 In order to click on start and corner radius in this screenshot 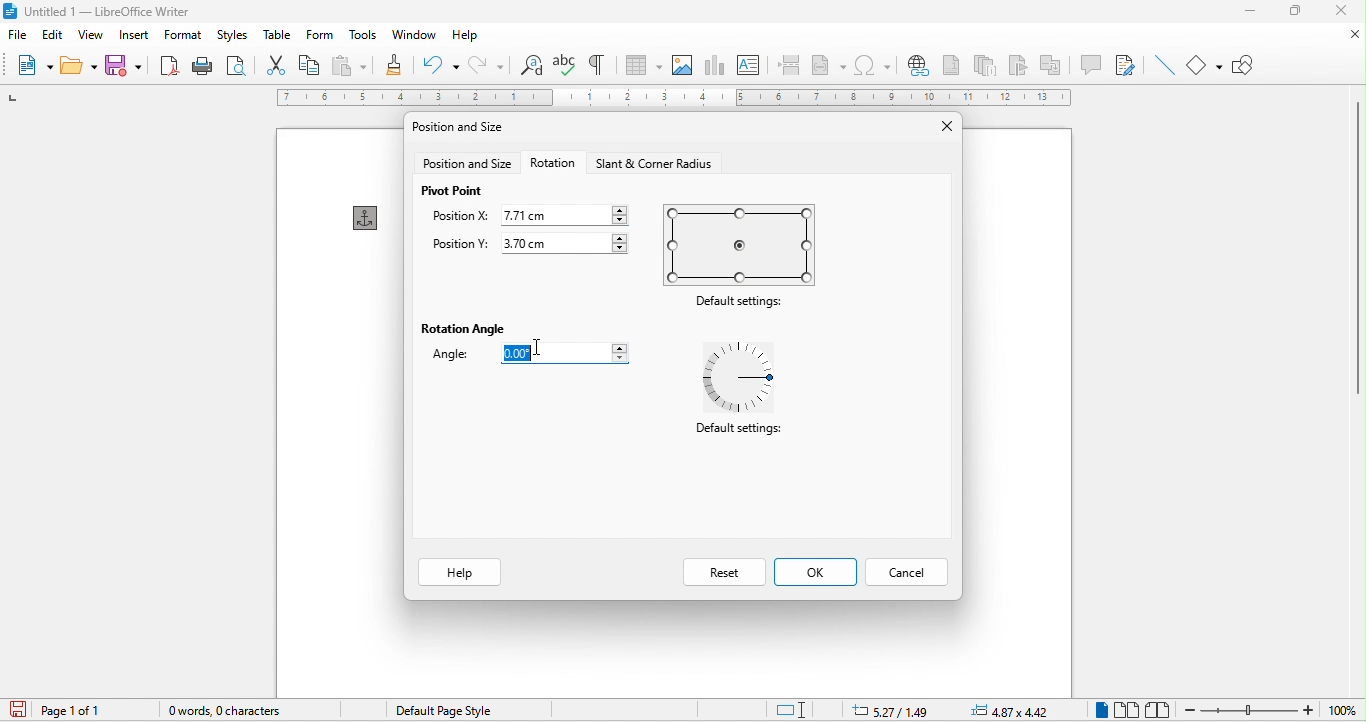, I will do `click(657, 160)`.